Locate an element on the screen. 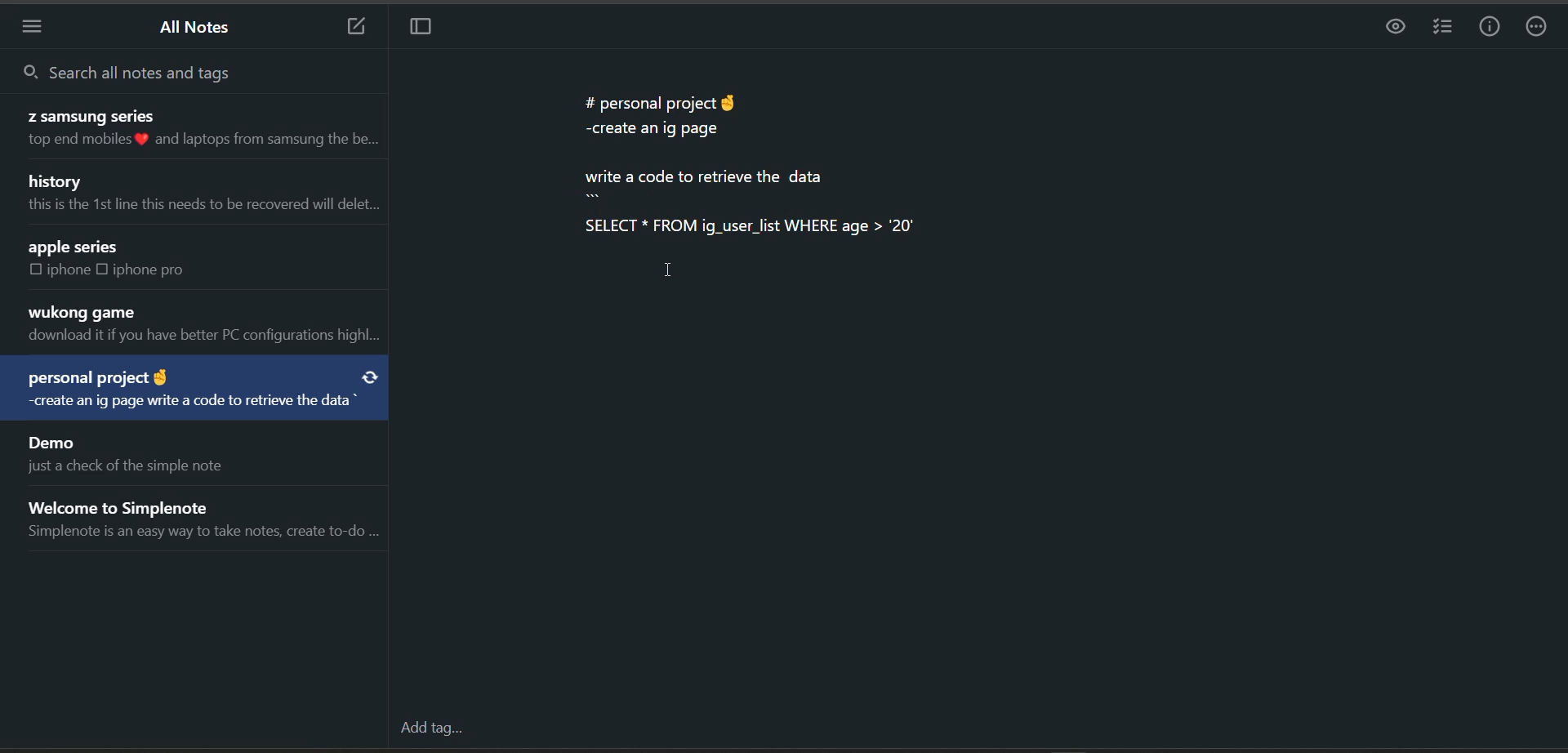  cursor is located at coordinates (672, 269).